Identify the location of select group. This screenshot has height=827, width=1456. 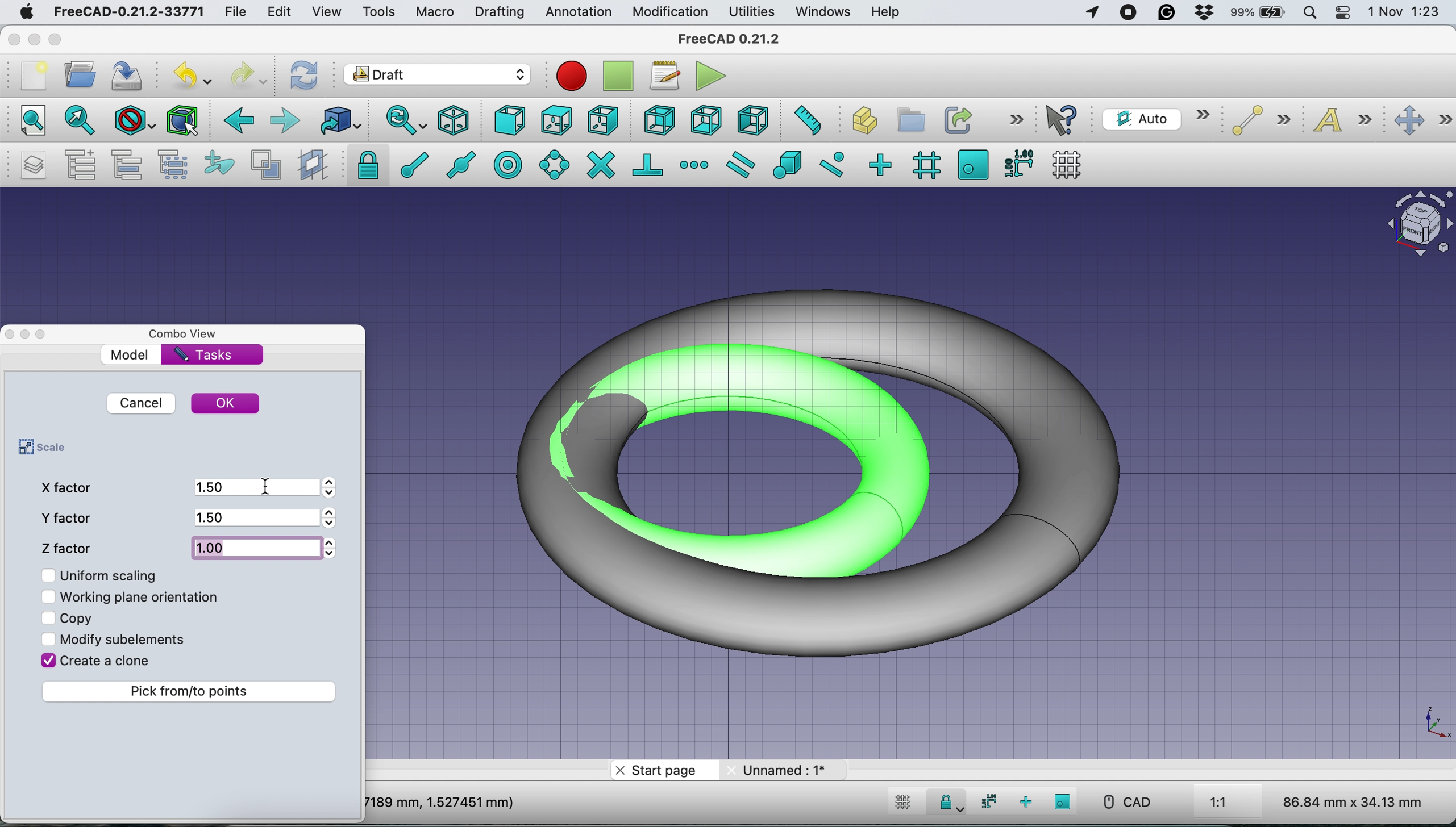
(177, 165).